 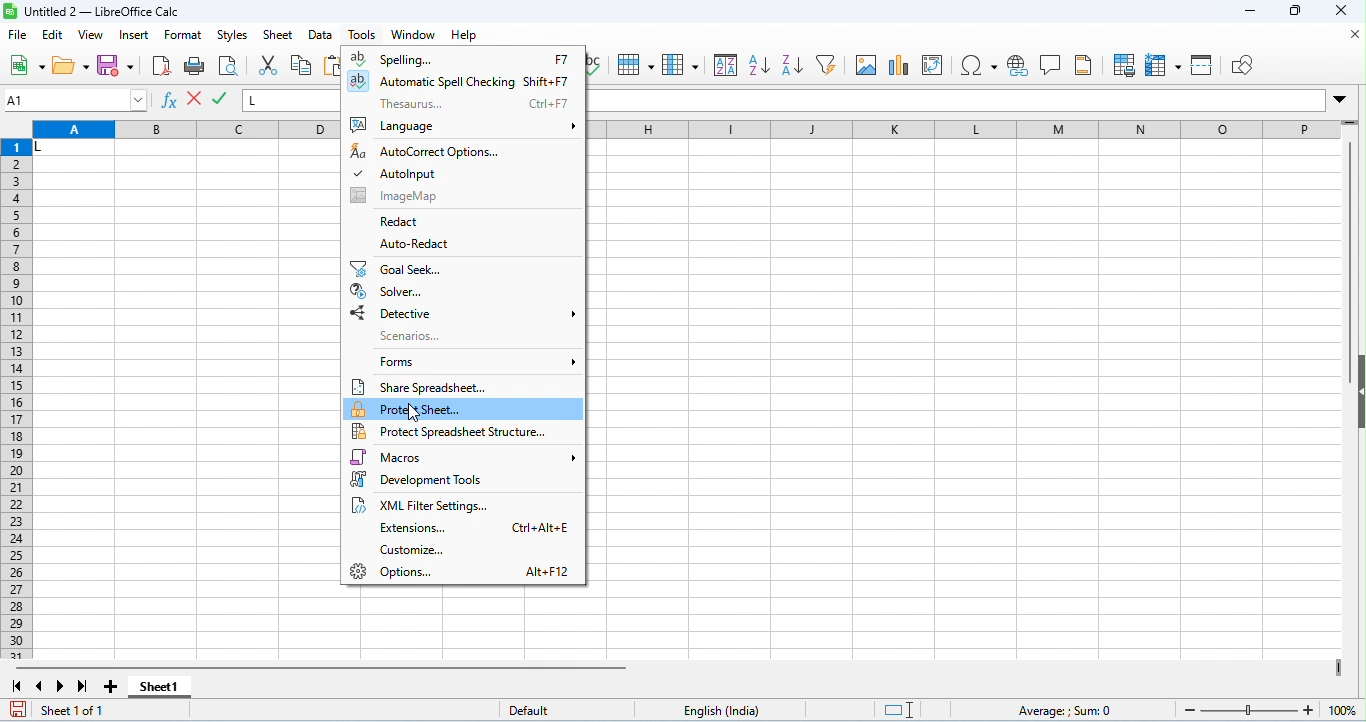 What do you see at coordinates (39, 686) in the screenshot?
I see `previous` at bounding box center [39, 686].